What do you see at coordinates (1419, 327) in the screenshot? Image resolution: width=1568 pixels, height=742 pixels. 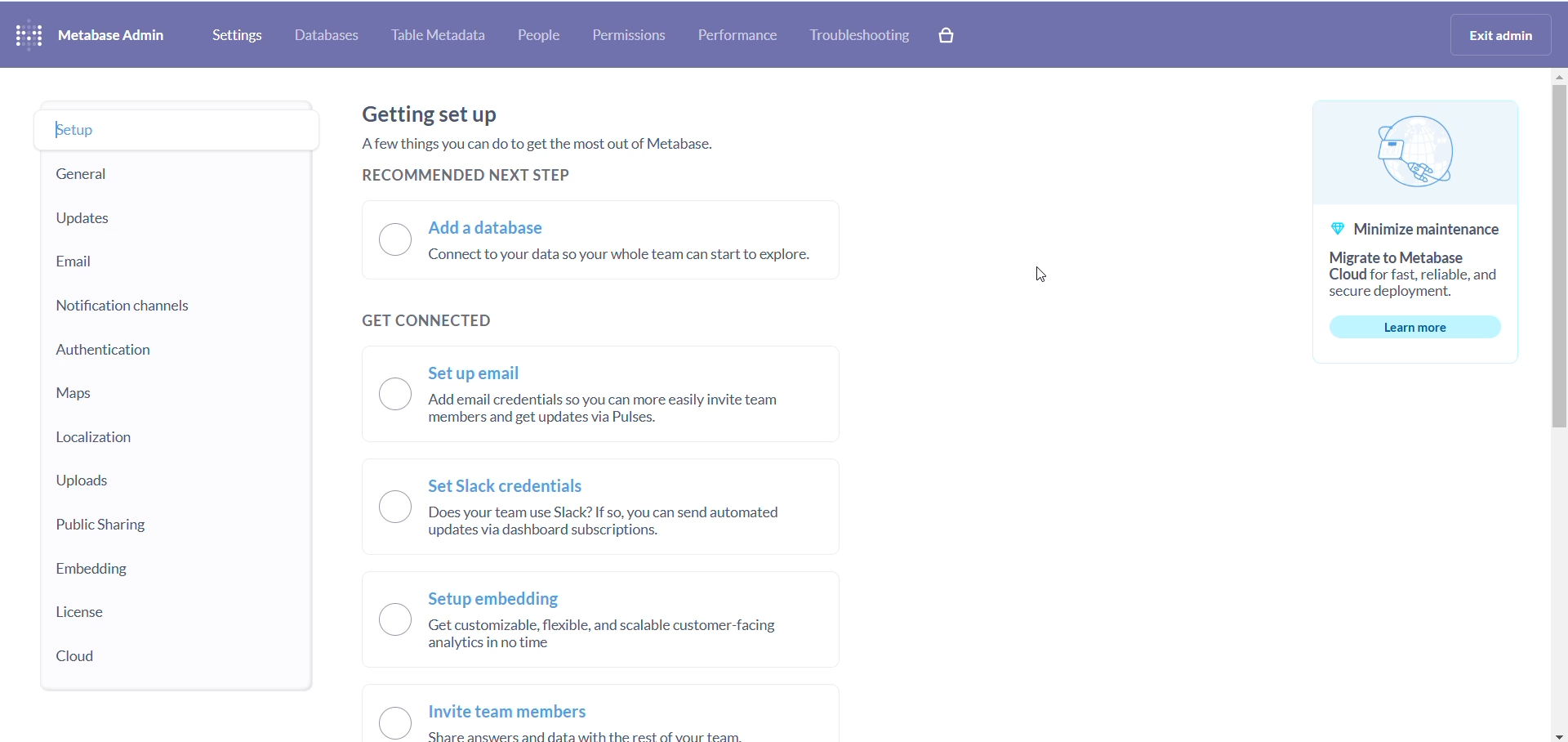 I see `learn more` at bounding box center [1419, 327].